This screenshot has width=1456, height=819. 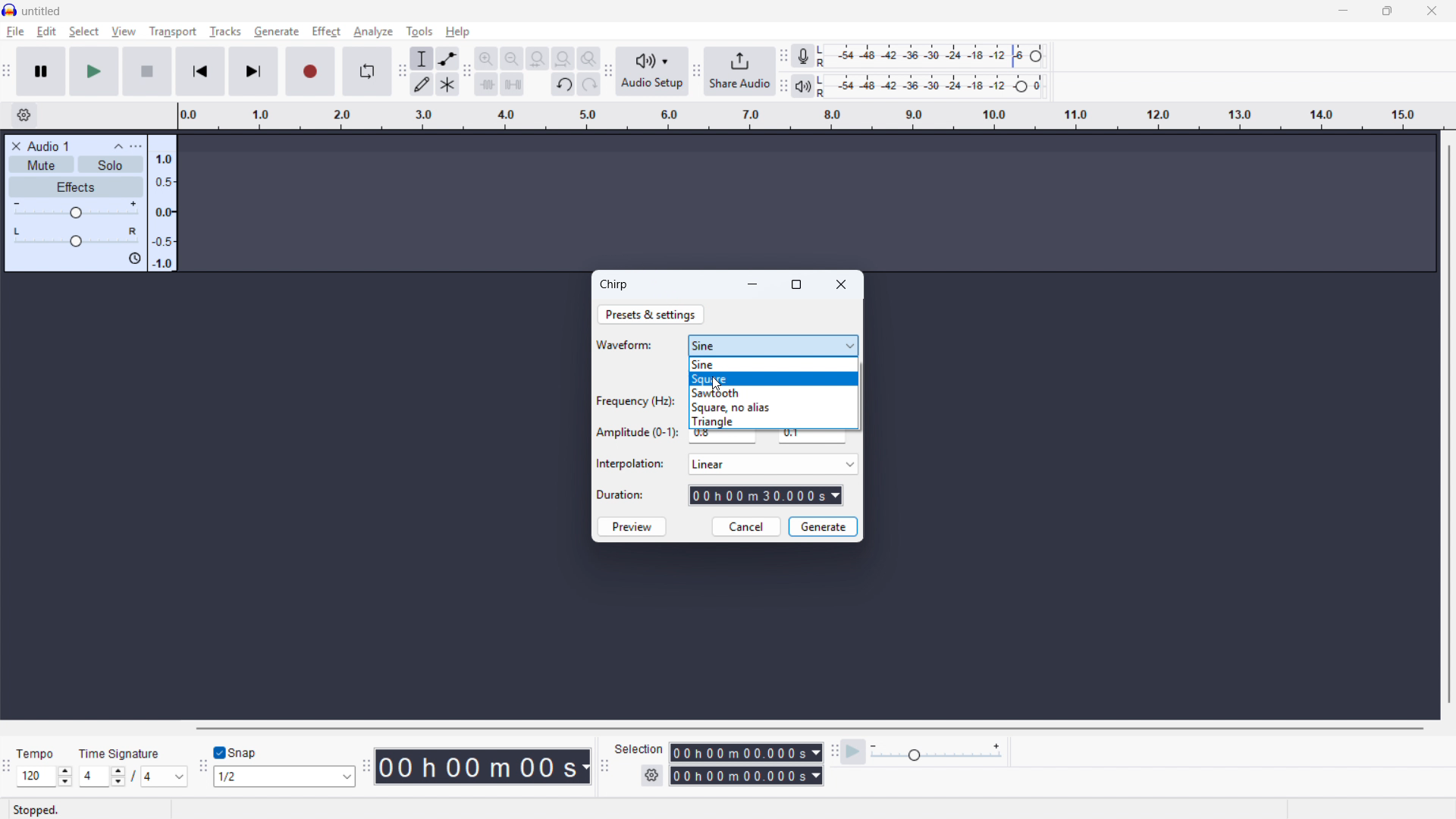 I want to click on Saw tooth , so click(x=773, y=394).